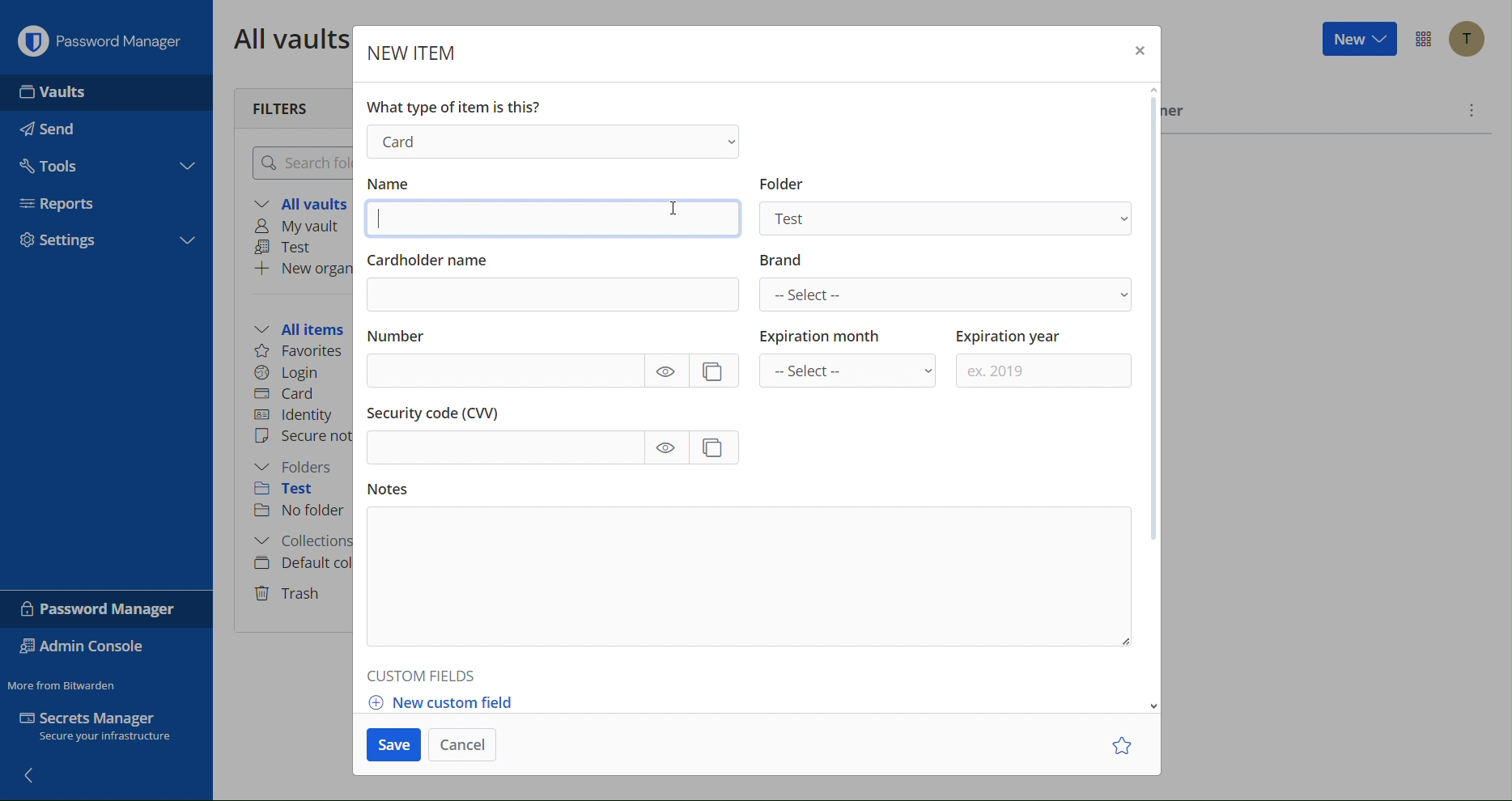  I want to click on Options, so click(1421, 37).